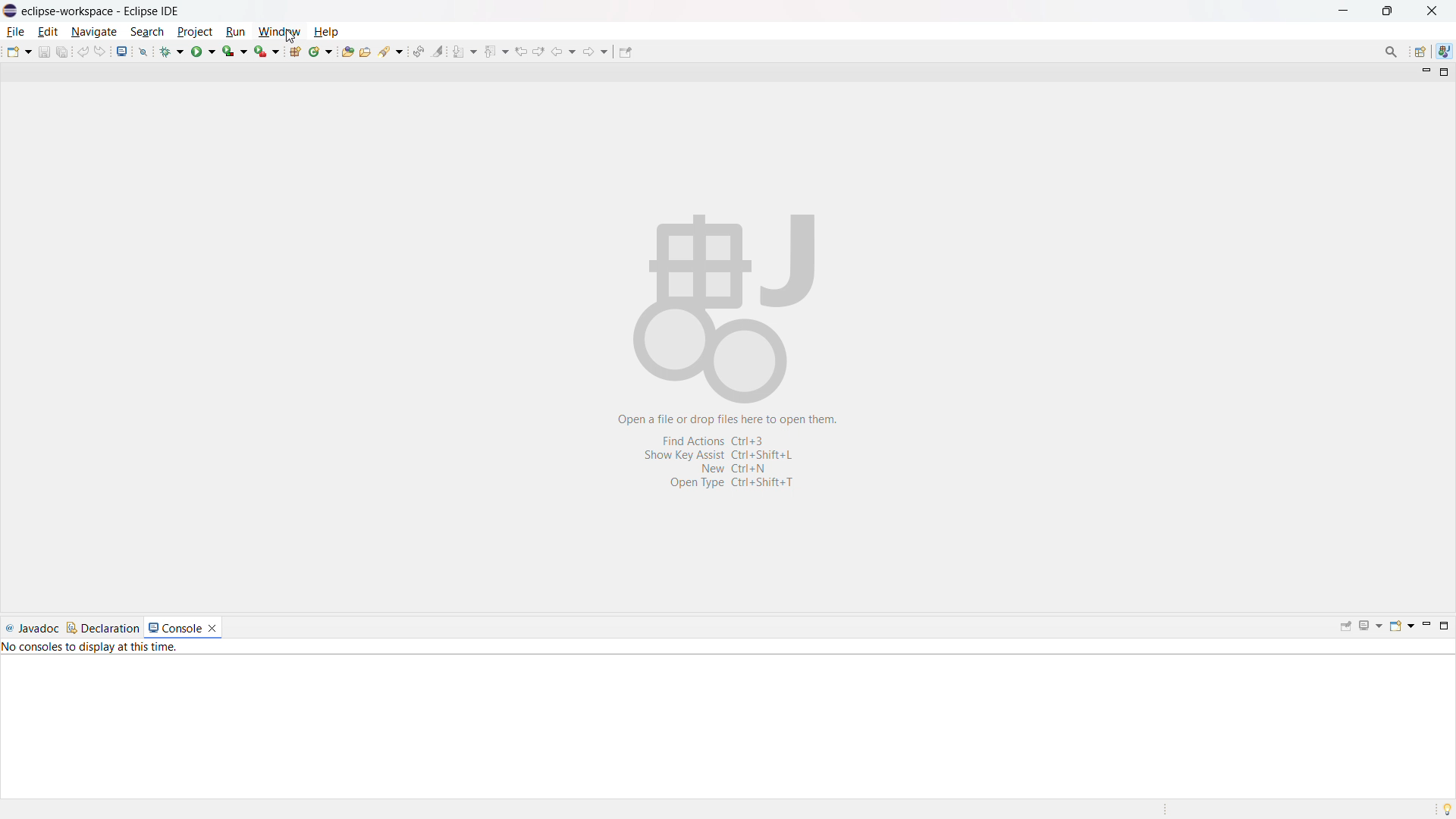 This screenshot has height=819, width=1456. What do you see at coordinates (439, 50) in the screenshot?
I see `toggle ant mark occurances` at bounding box center [439, 50].